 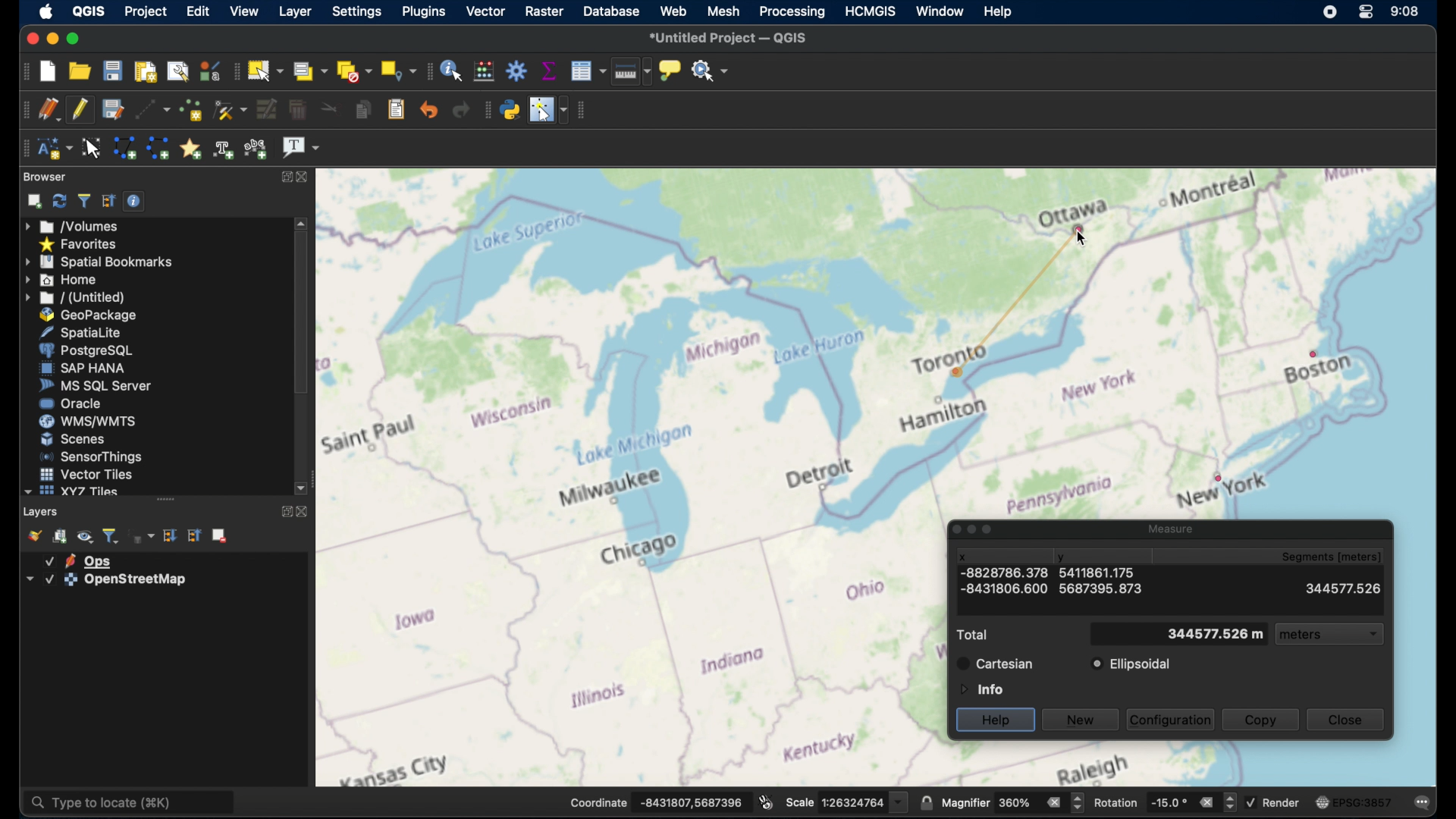 I want to click on close, so click(x=951, y=529).